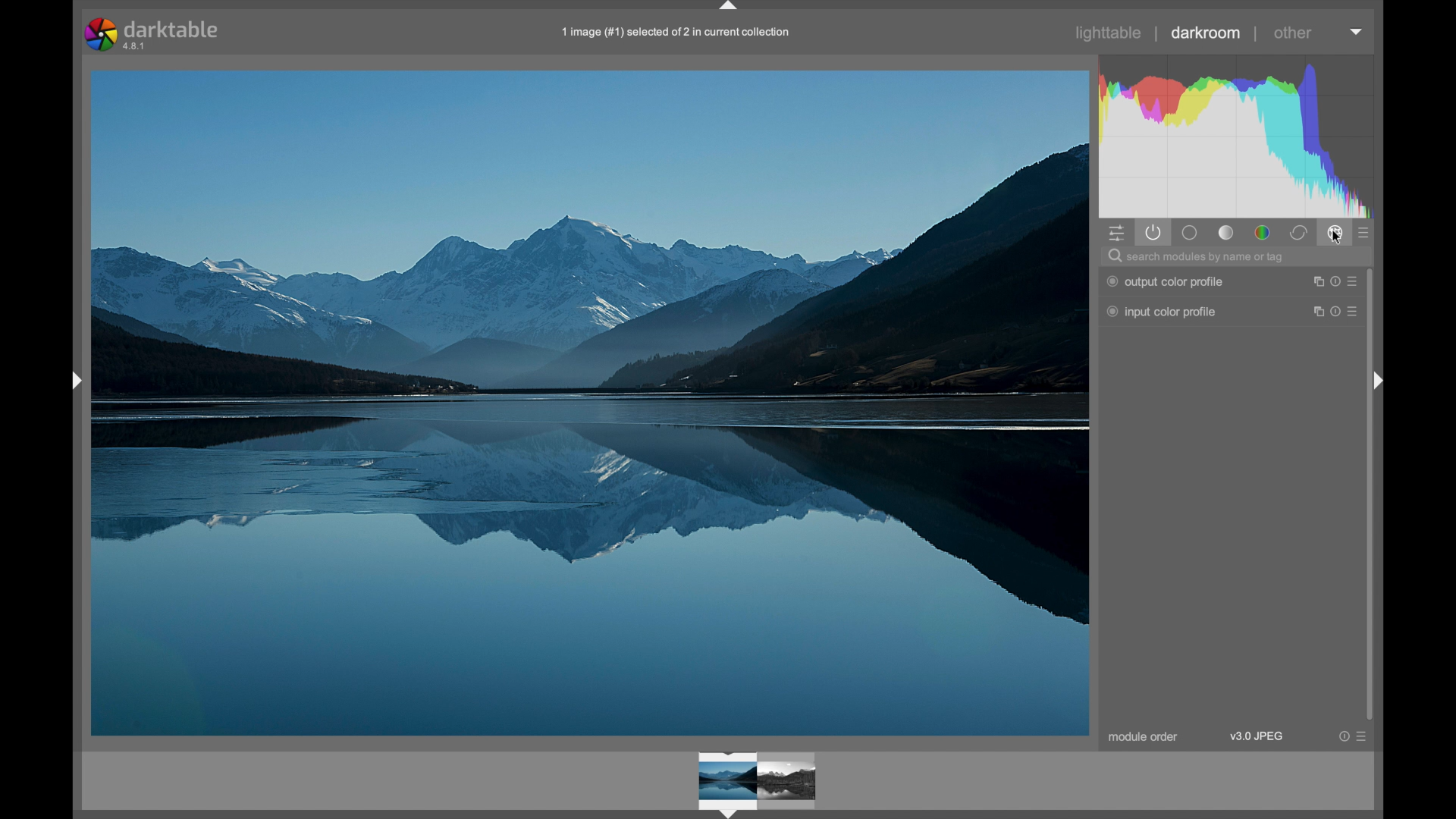 This screenshot has height=819, width=1456. I want to click on drag handle, so click(729, 8).